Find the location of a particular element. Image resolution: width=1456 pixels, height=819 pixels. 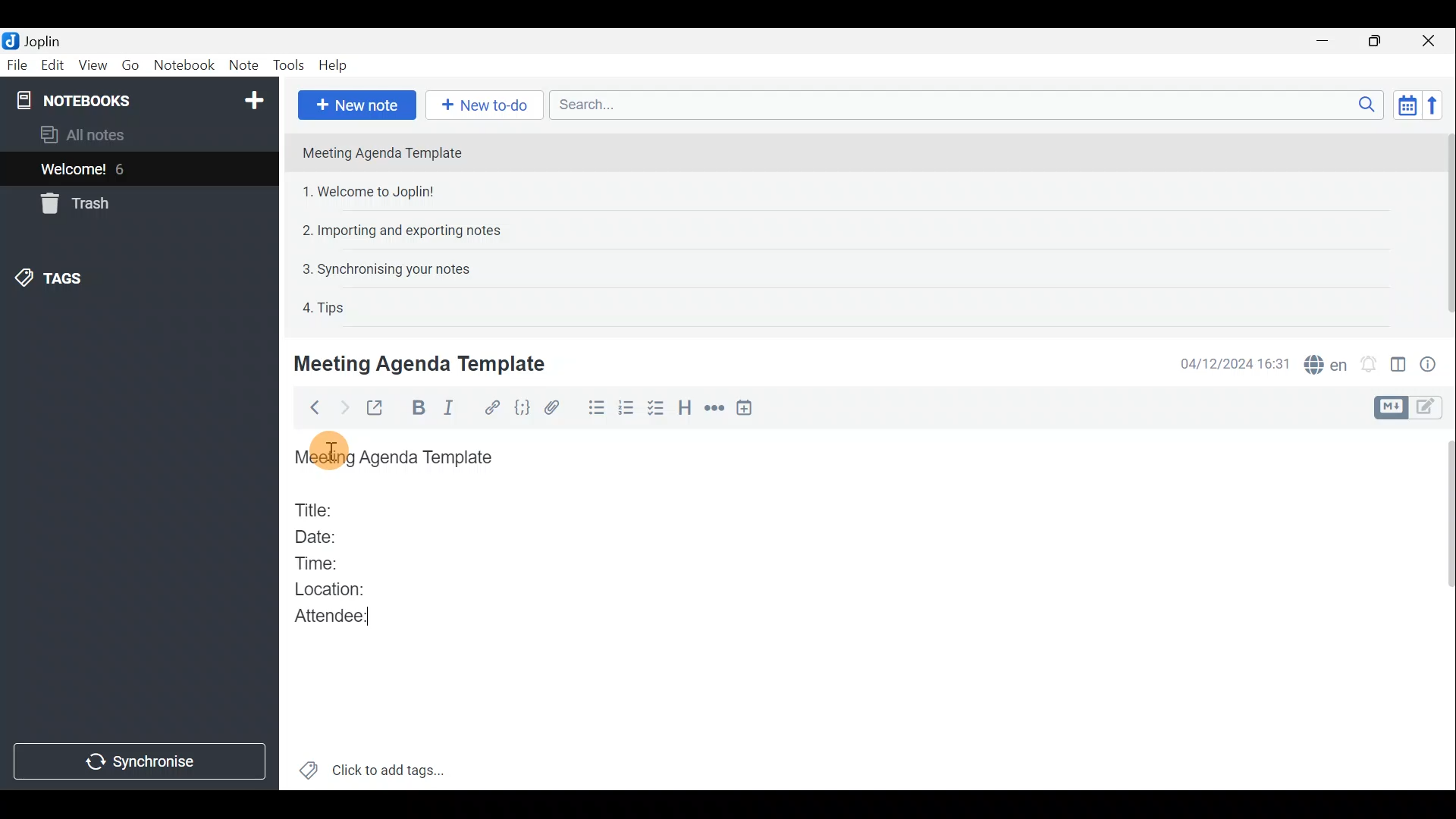

3. Synchronising your notes is located at coordinates (386, 268).